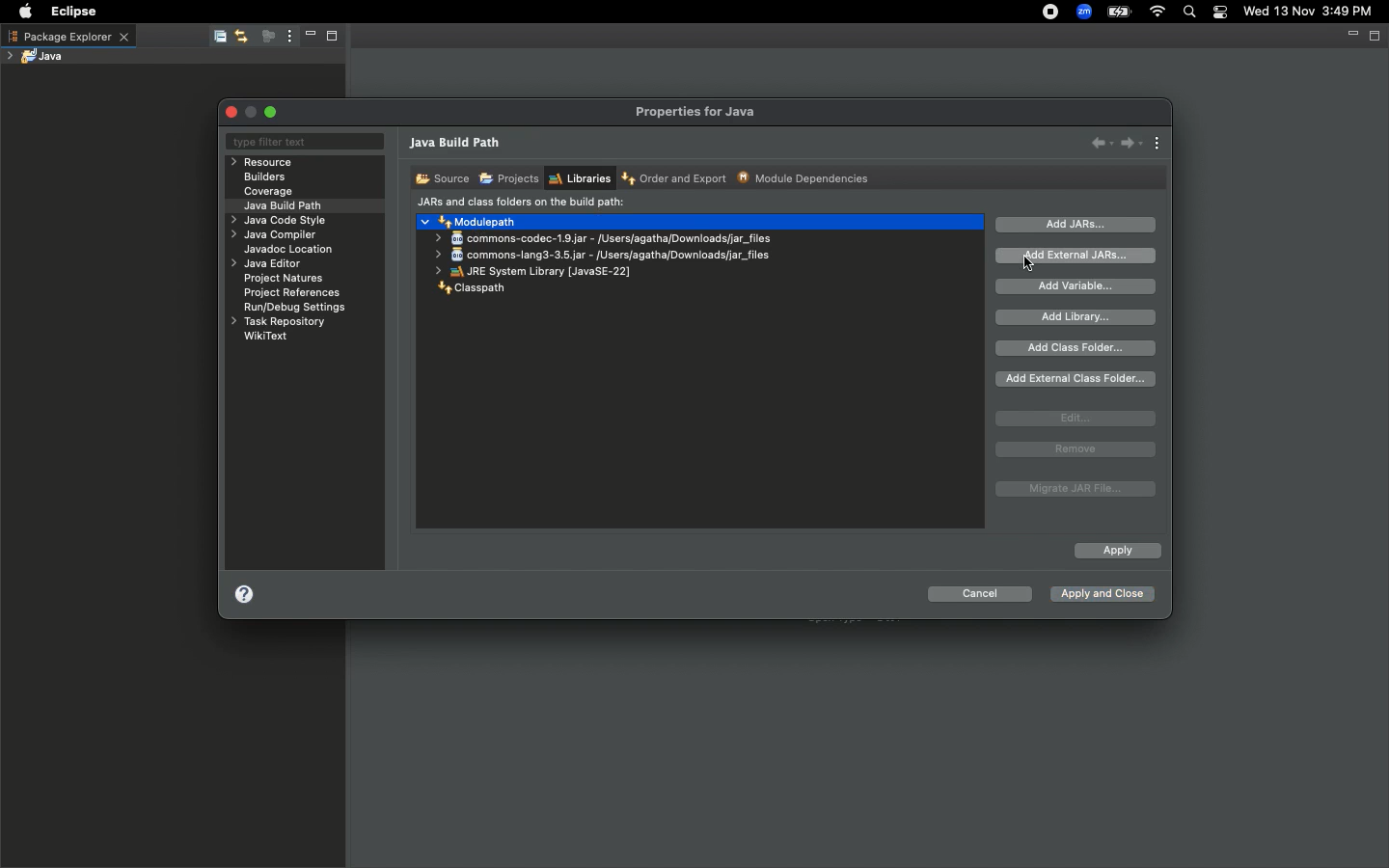 This screenshot has height=868, width=1389. Describe the element at coordinates (233, 112) in the screenshot. I see `Close` at that location.